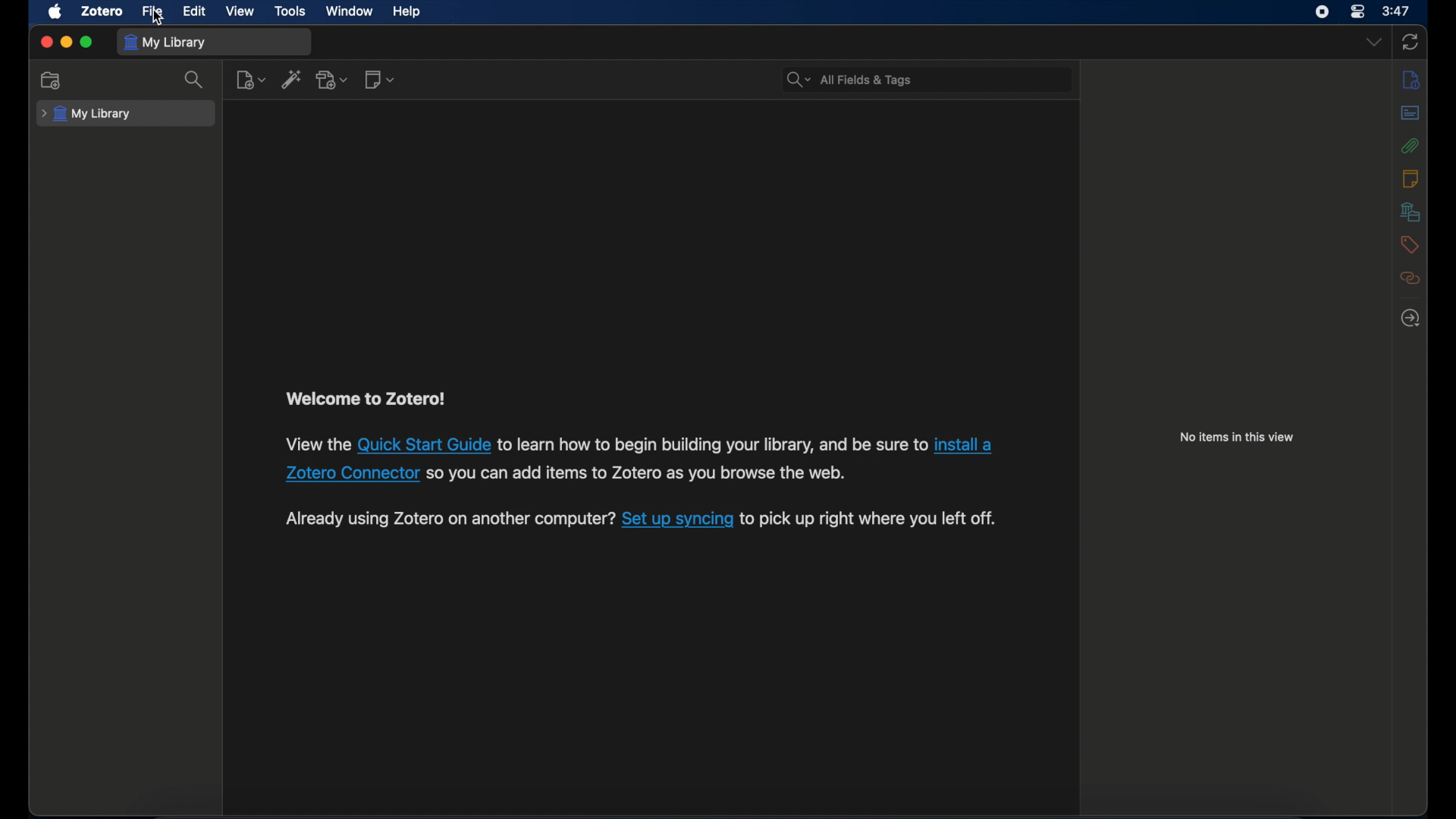  What do you see at coordinates (249, 80) in the screenshot?
I see `new item` at bounding box center [249, 80].